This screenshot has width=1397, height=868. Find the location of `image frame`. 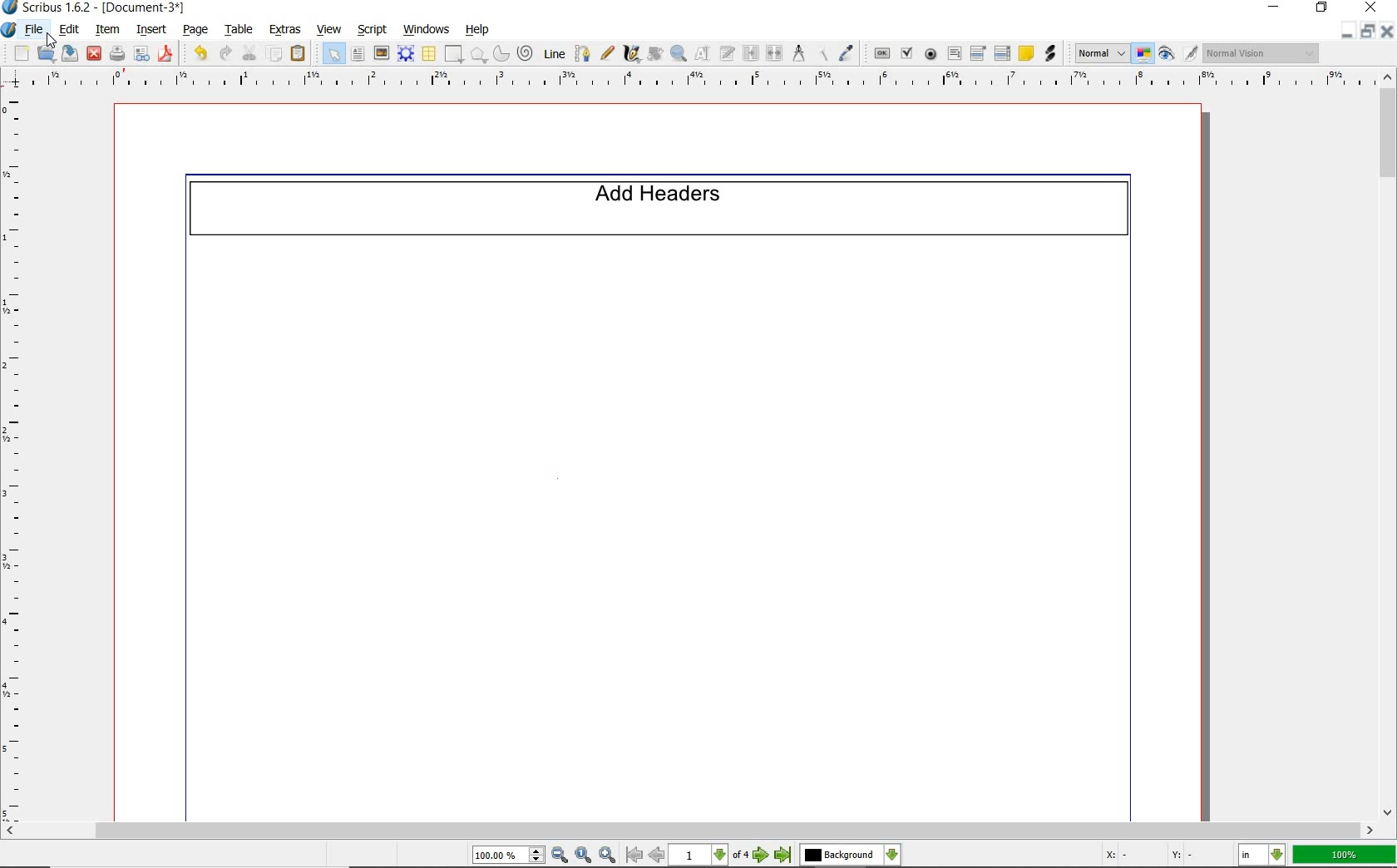

image frame is located at coordinates (382, 54).